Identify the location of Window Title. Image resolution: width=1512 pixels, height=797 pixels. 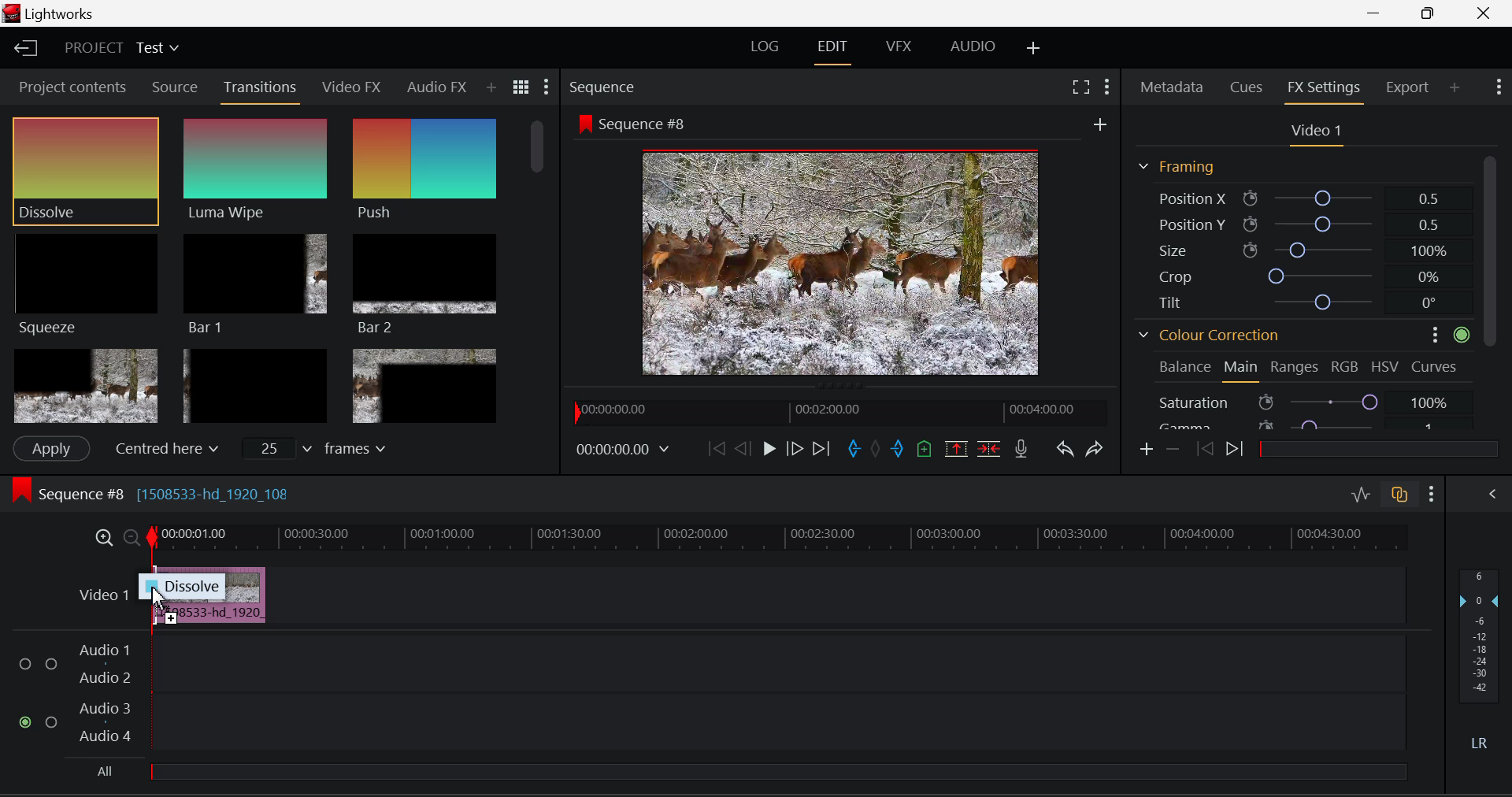
(54, 13).